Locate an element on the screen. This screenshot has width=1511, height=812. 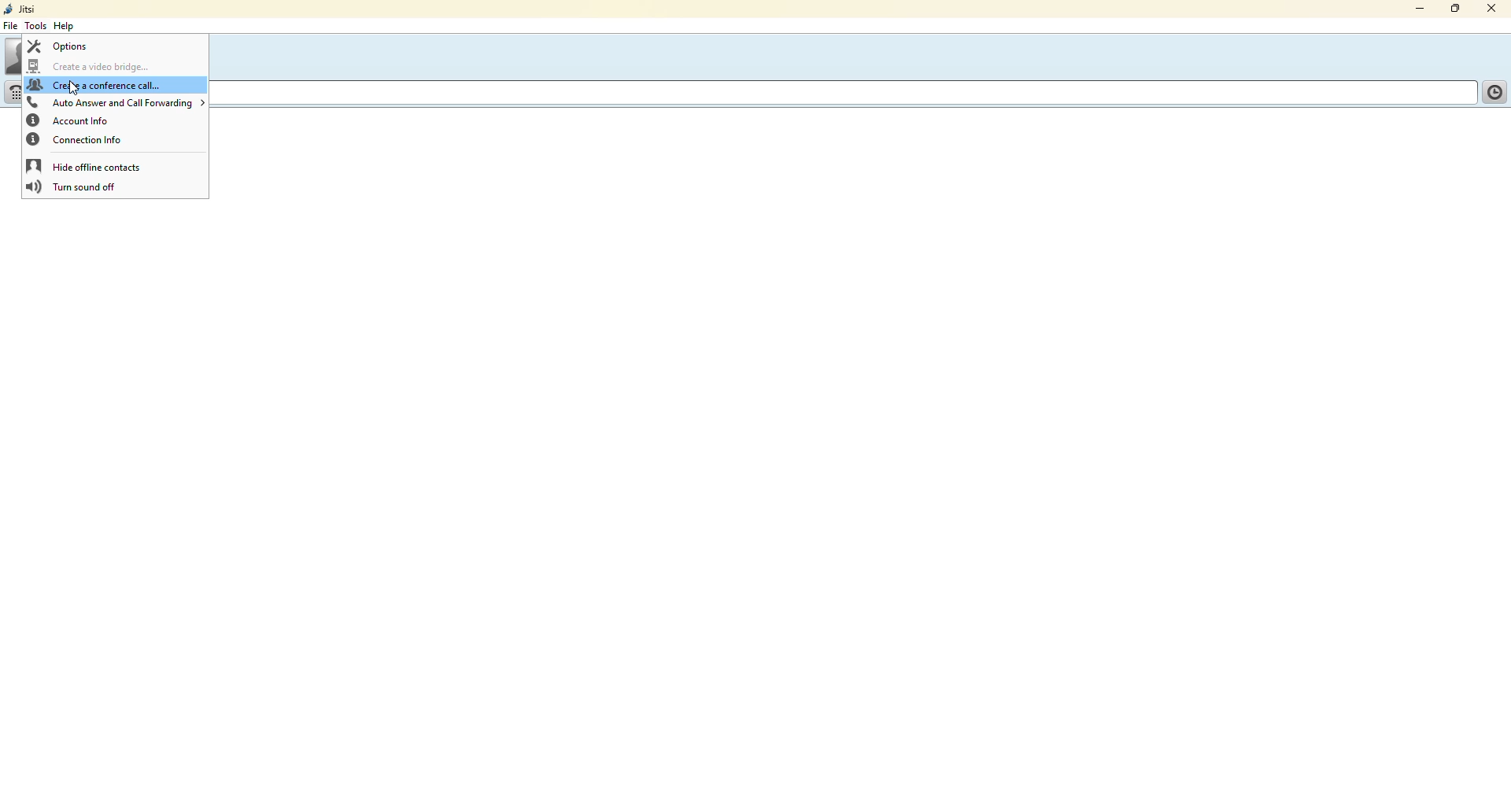
minimize is located at coordinates (1419, 9).